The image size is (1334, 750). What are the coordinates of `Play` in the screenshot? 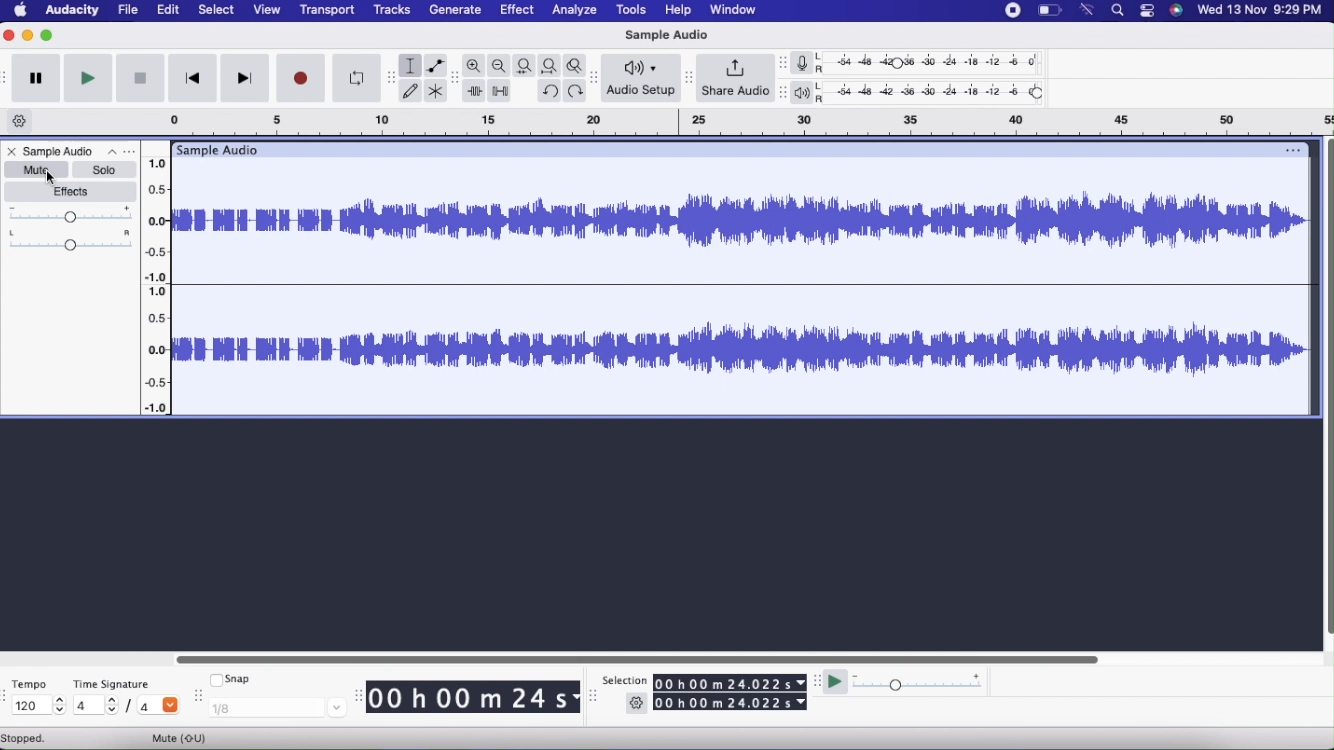 It's located at (89, 79).